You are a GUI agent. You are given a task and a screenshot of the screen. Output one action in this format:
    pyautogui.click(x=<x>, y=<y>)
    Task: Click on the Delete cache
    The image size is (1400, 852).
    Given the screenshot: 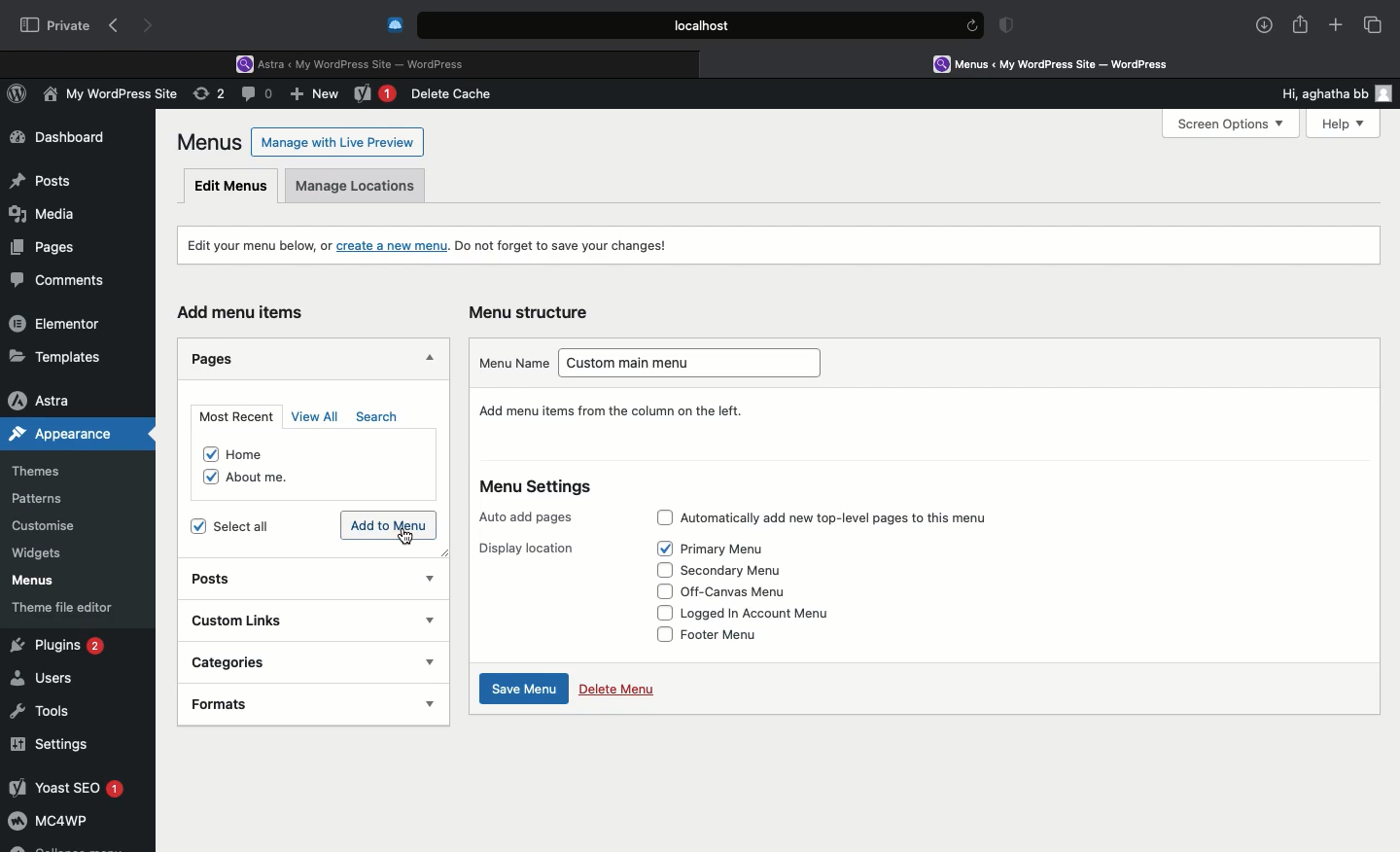 What is the action you would take?
    pyautogui.click(x=455, y=94)
    